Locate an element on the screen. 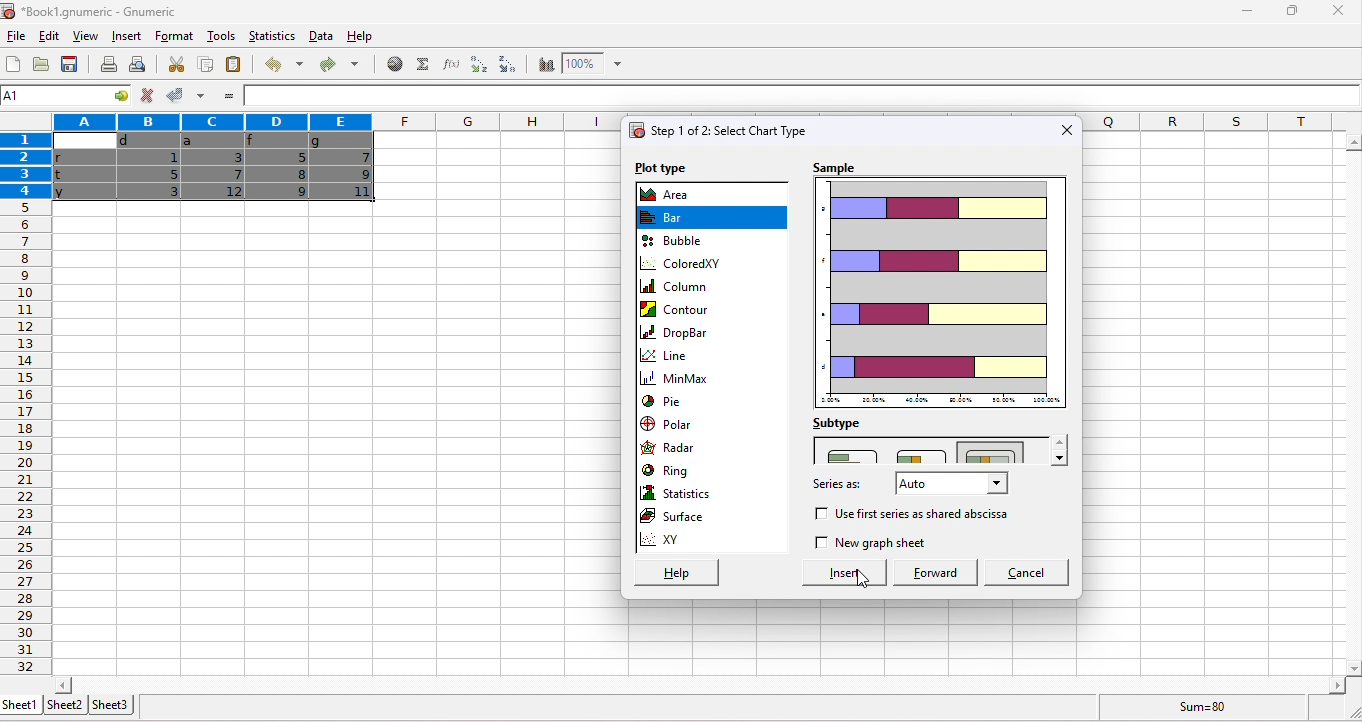 The width and height of the screenshot is (1362, 722). reject is located at coordinates (146, 95).